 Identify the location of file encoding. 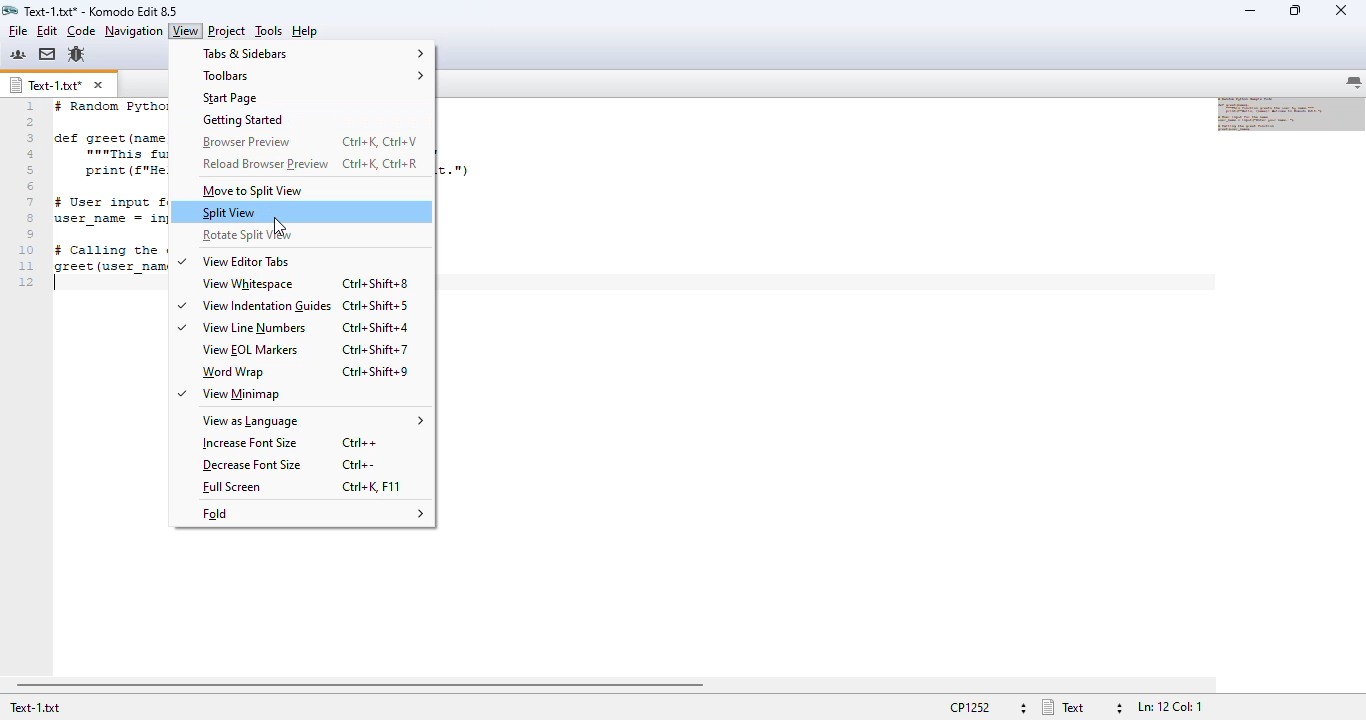
(966, 708).